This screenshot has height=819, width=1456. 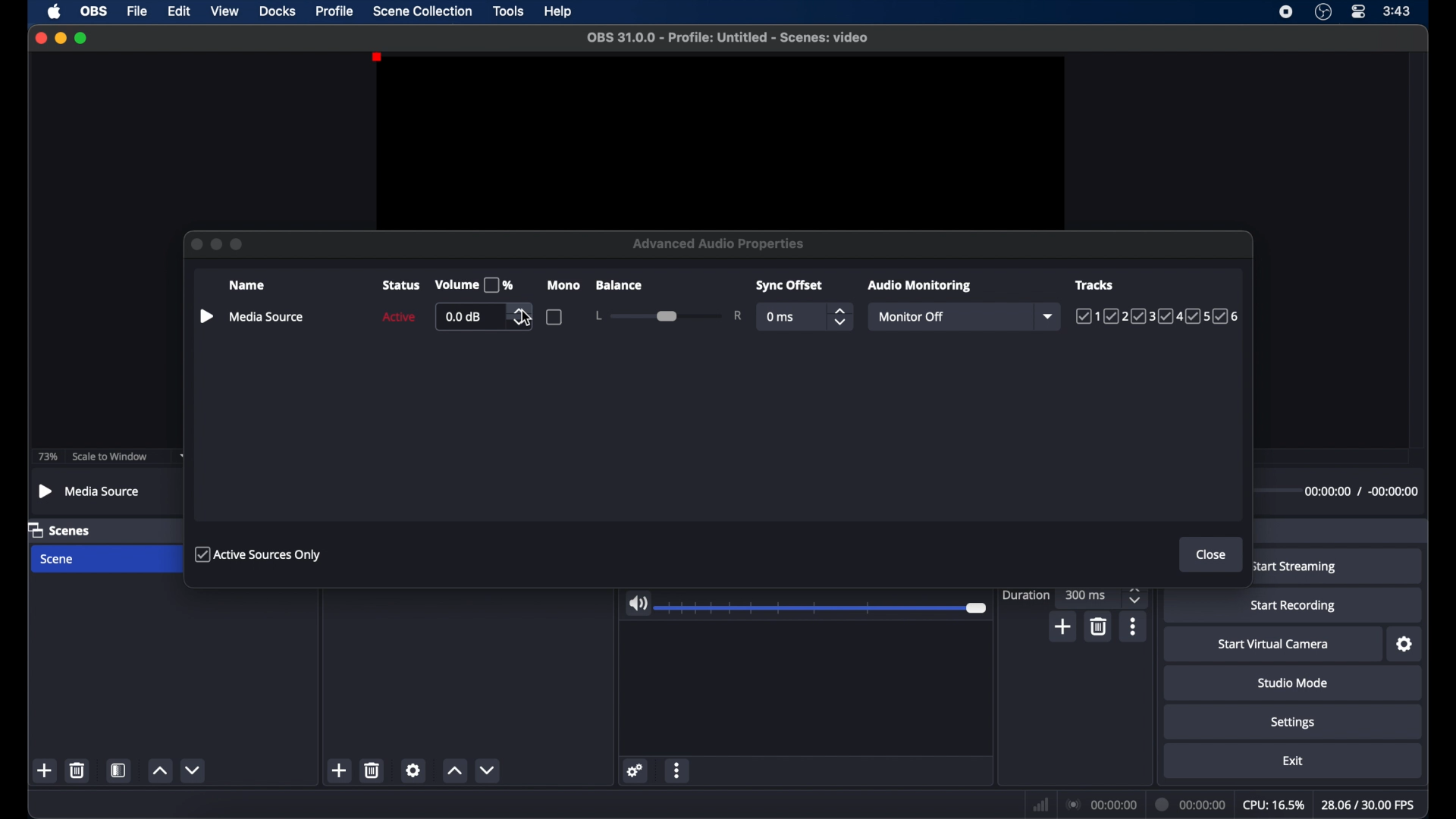 I want to click on 00:00:00, so click(x=1103, y=805).